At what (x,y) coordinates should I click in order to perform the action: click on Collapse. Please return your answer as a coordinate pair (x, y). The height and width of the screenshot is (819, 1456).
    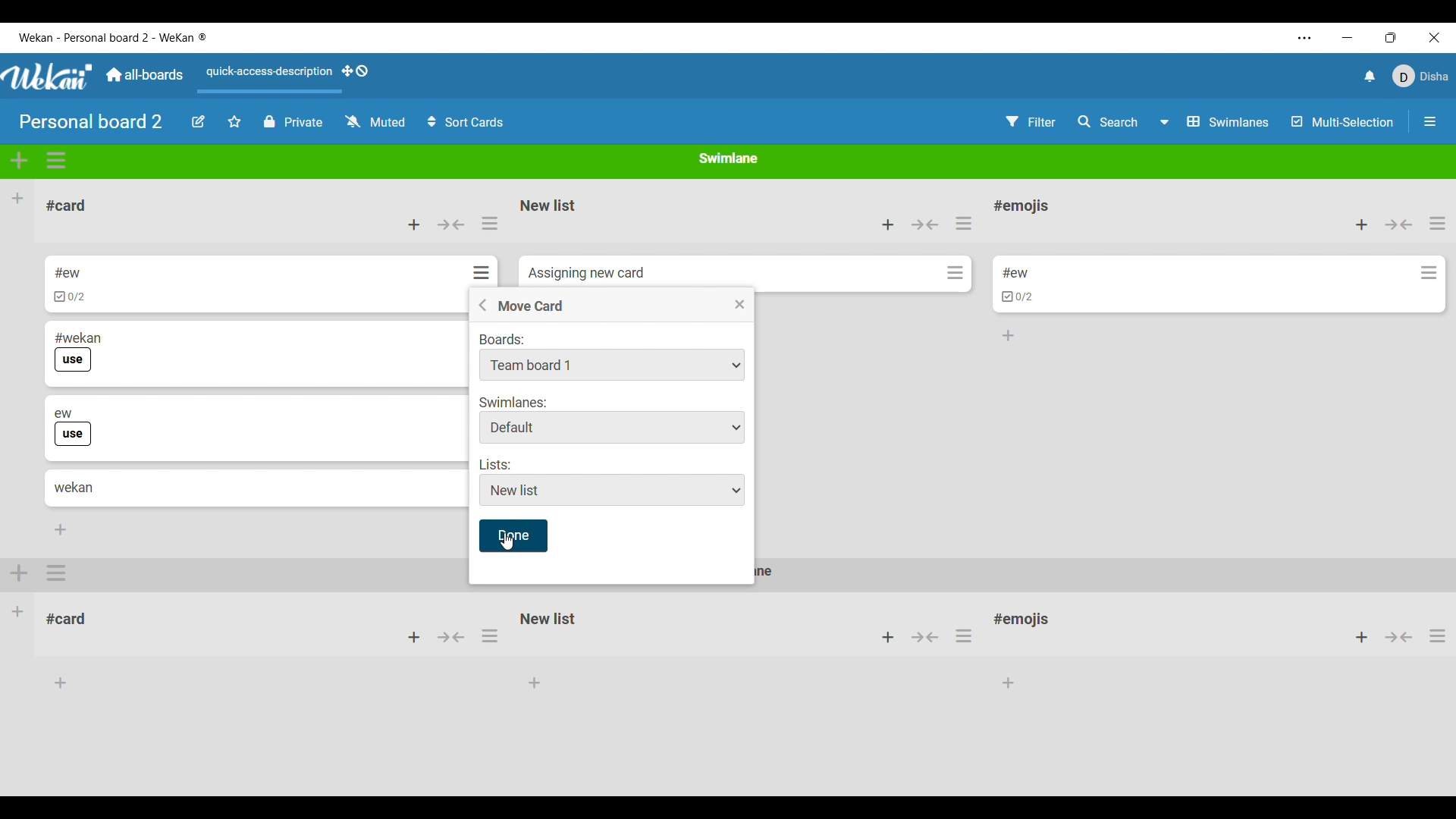
    Looking at the image, I should click on (1399, 224).